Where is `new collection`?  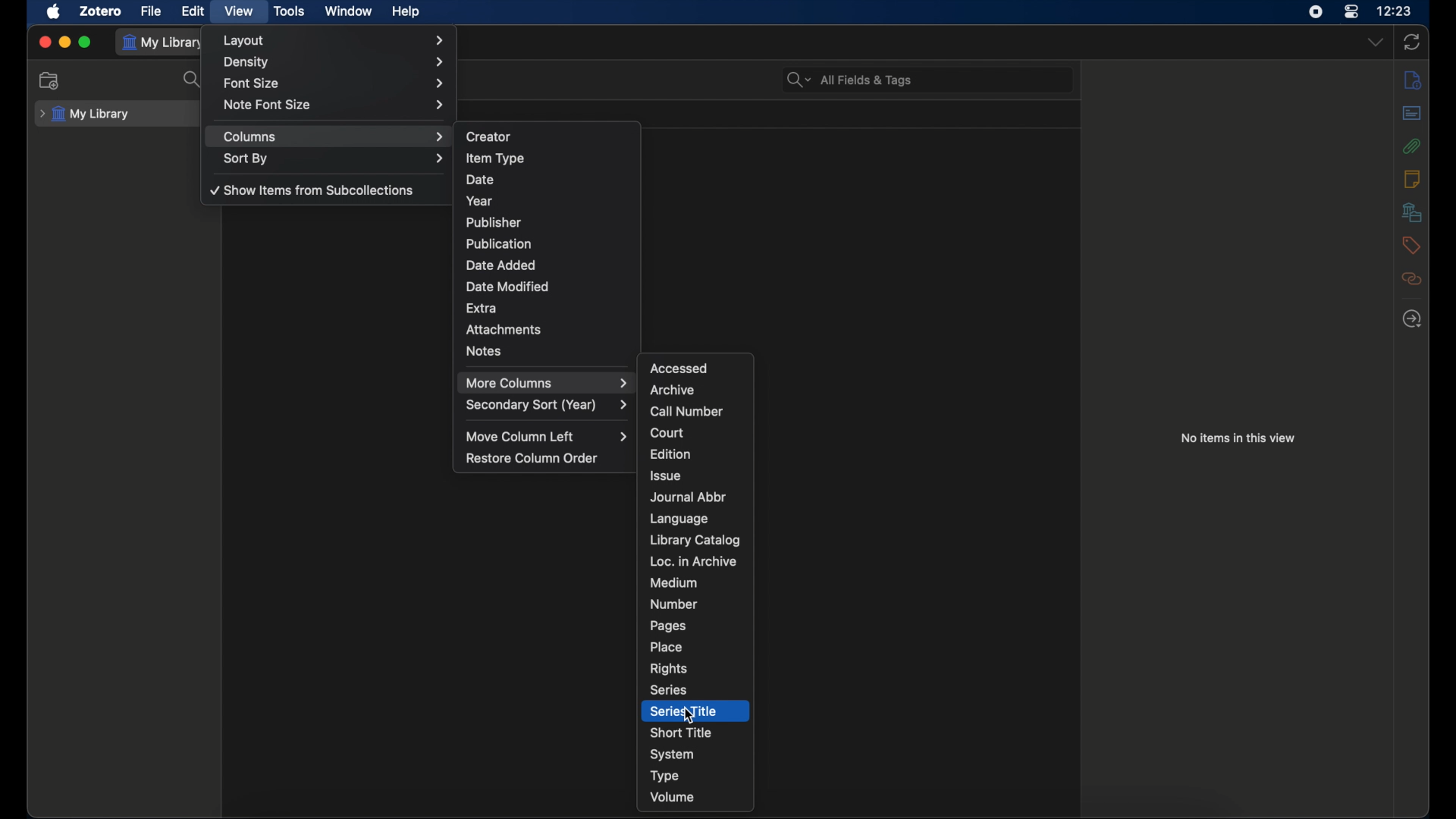
new collection is located at coordinates (49, 80).